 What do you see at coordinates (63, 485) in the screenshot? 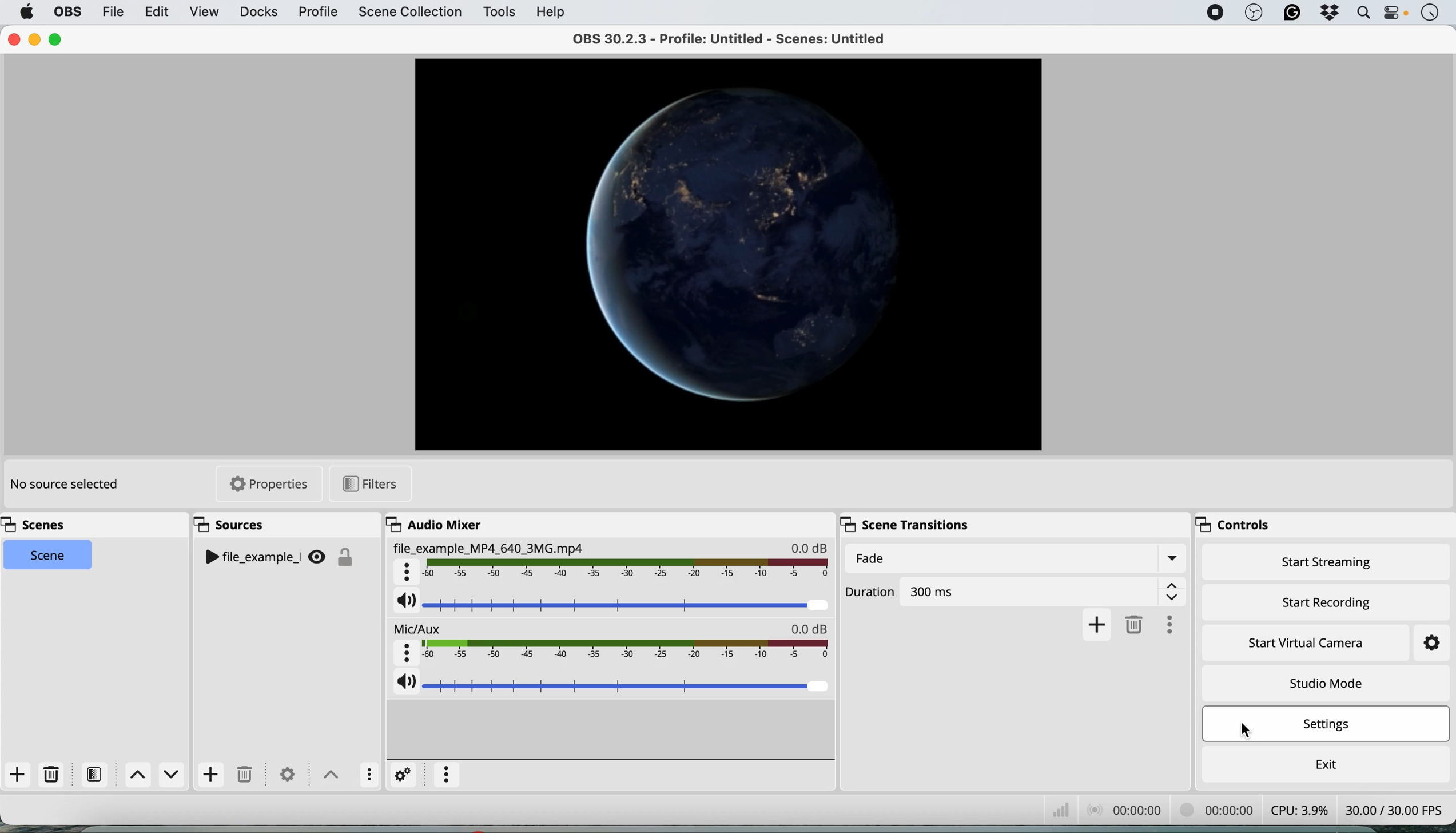
I see `no source selected` at bounding box center [63, 485].